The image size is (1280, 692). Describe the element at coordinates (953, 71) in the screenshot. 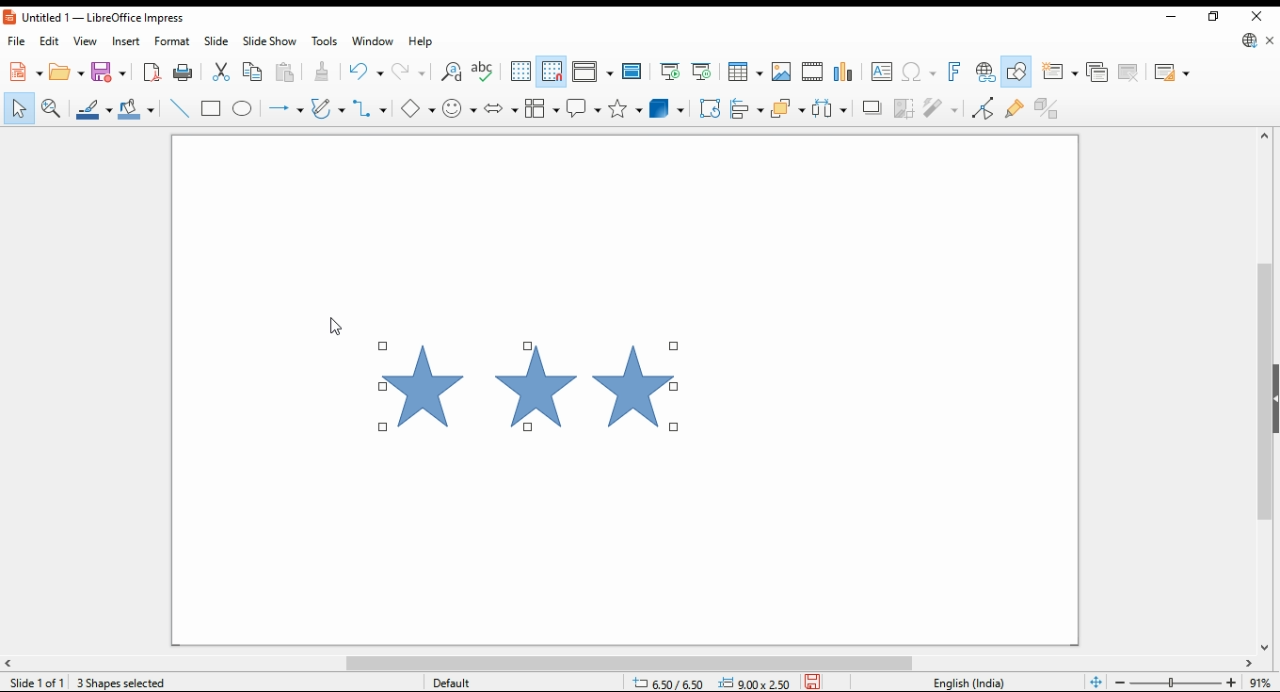

I see `insert fontwork text` at that location.